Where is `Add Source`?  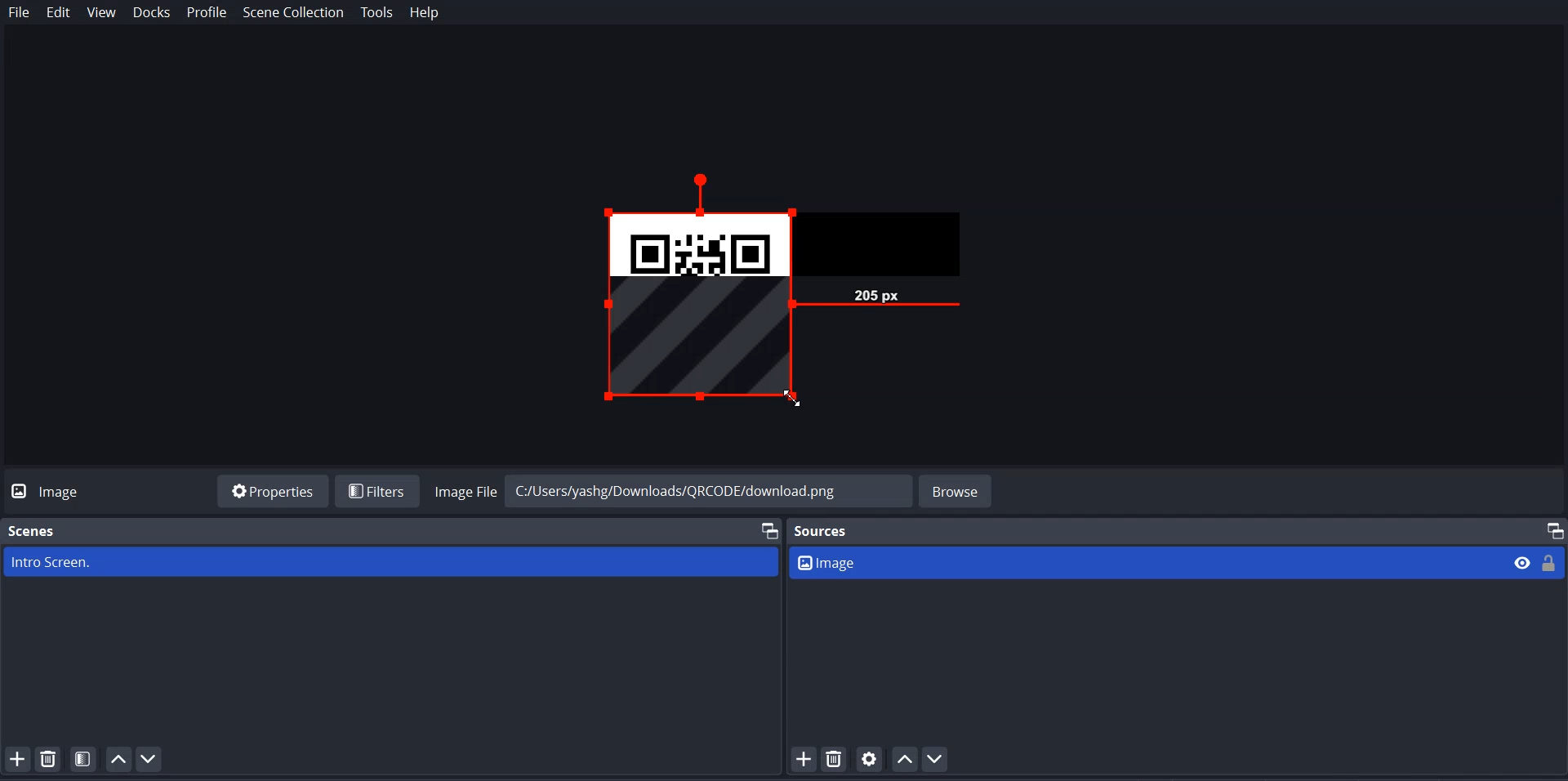
Add Source is located at coordinates (803, 759).